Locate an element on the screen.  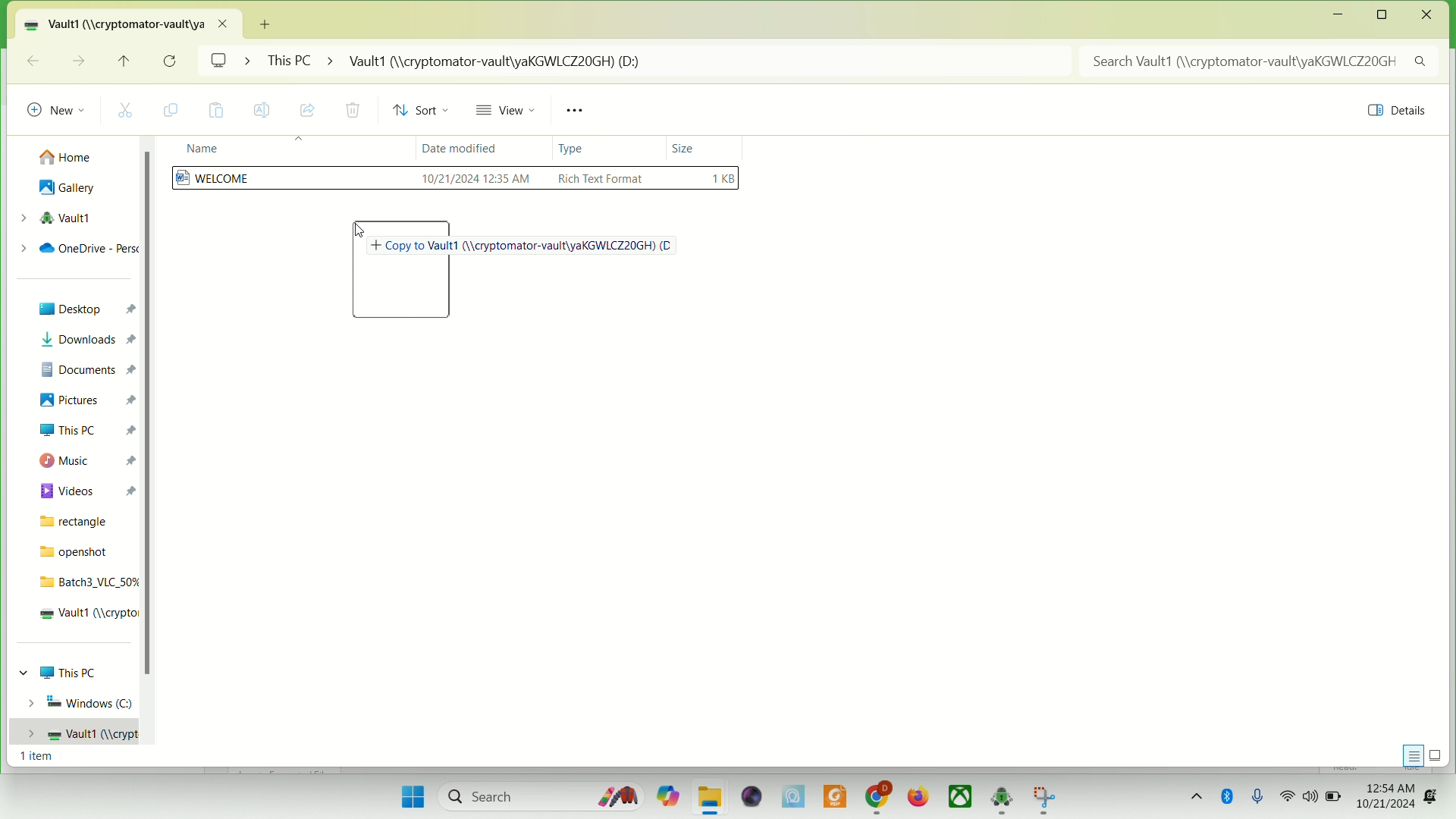
cursor is located at coordinates (361, 231).